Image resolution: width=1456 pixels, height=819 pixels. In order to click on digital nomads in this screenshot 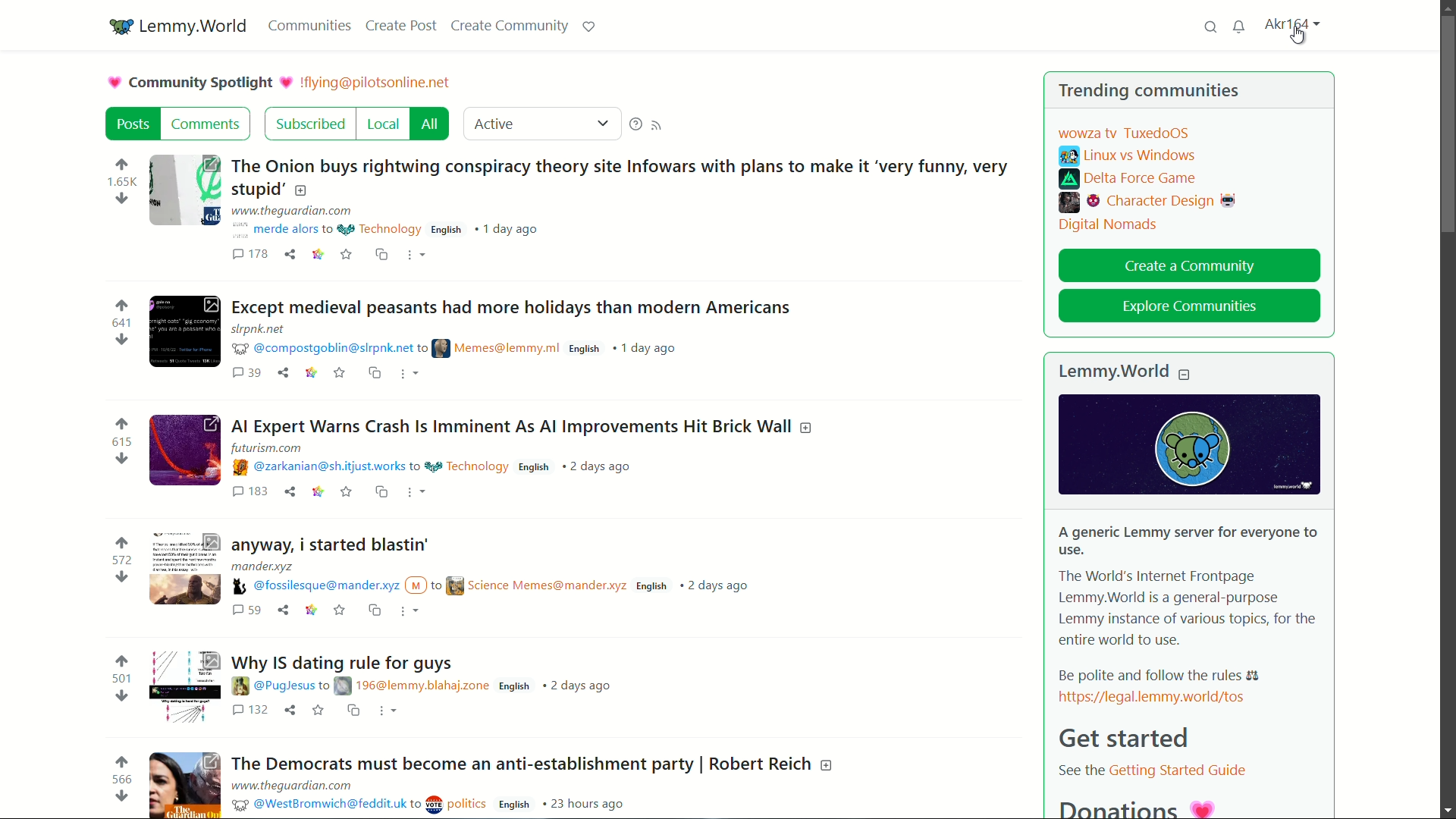, I will do `click(1106, 227)`.